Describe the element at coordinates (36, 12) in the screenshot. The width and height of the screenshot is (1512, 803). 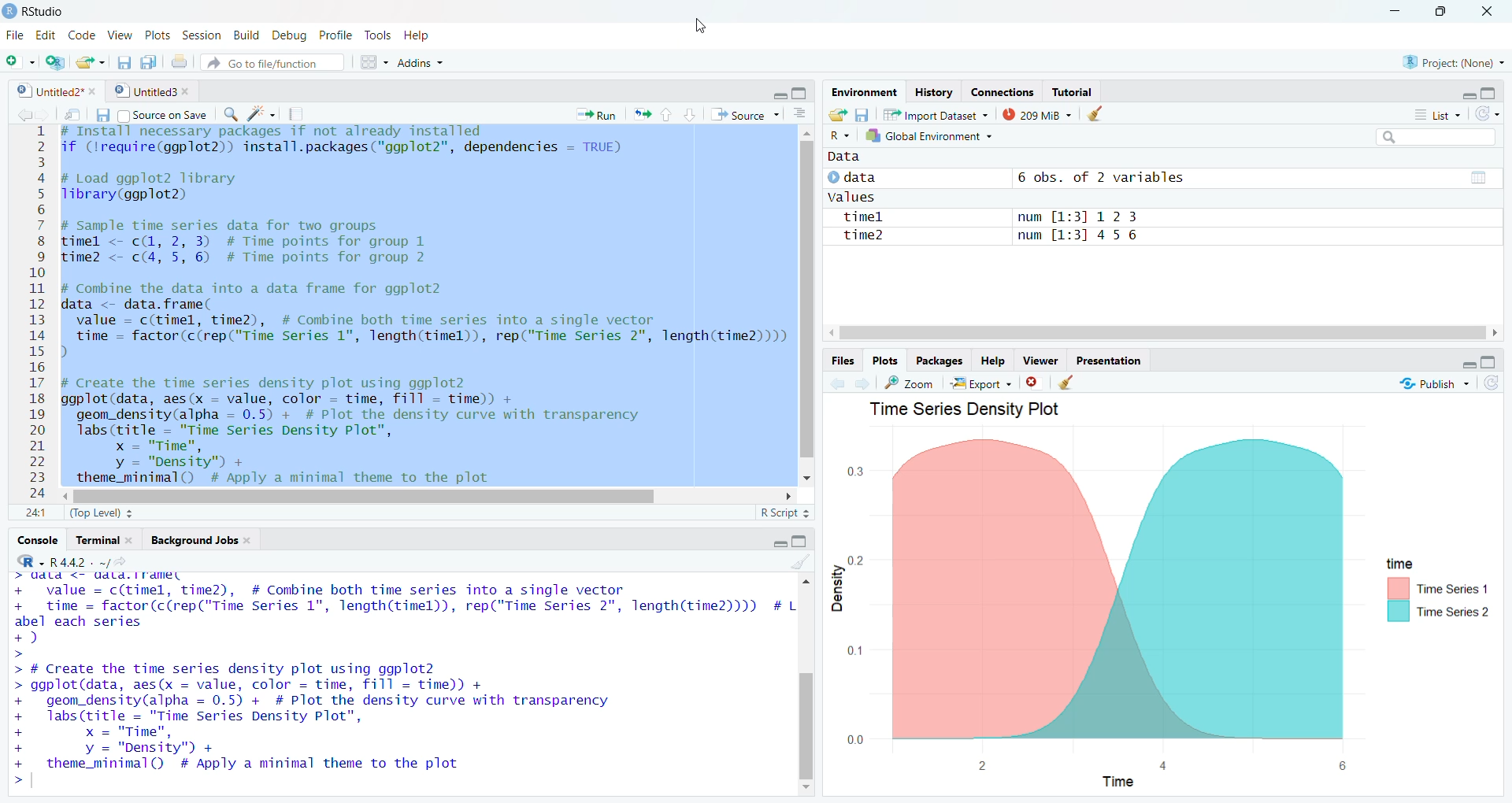
I see `RStudio` at that location.